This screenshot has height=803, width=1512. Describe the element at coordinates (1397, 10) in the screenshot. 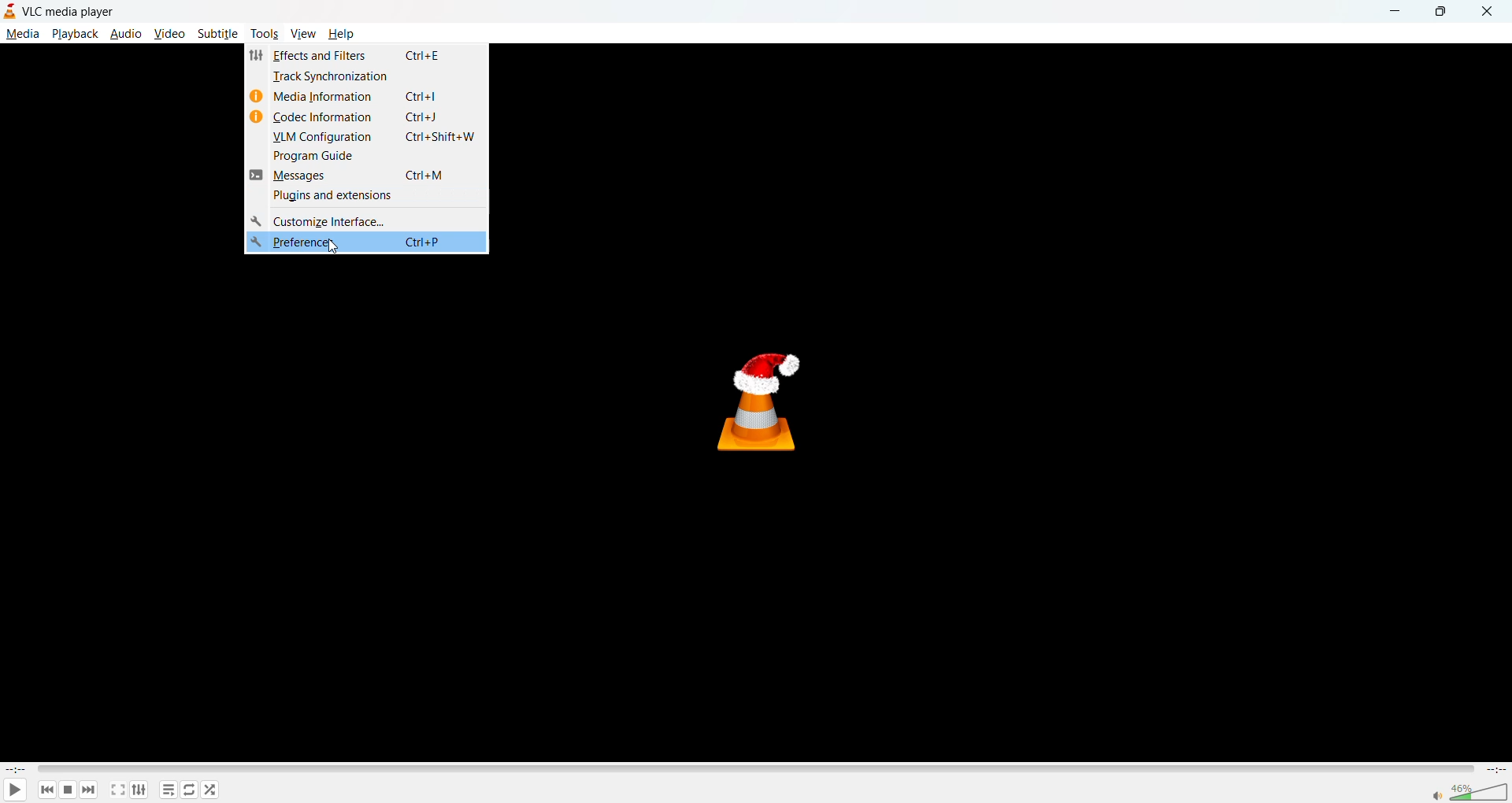

I see `minimize` at that location.